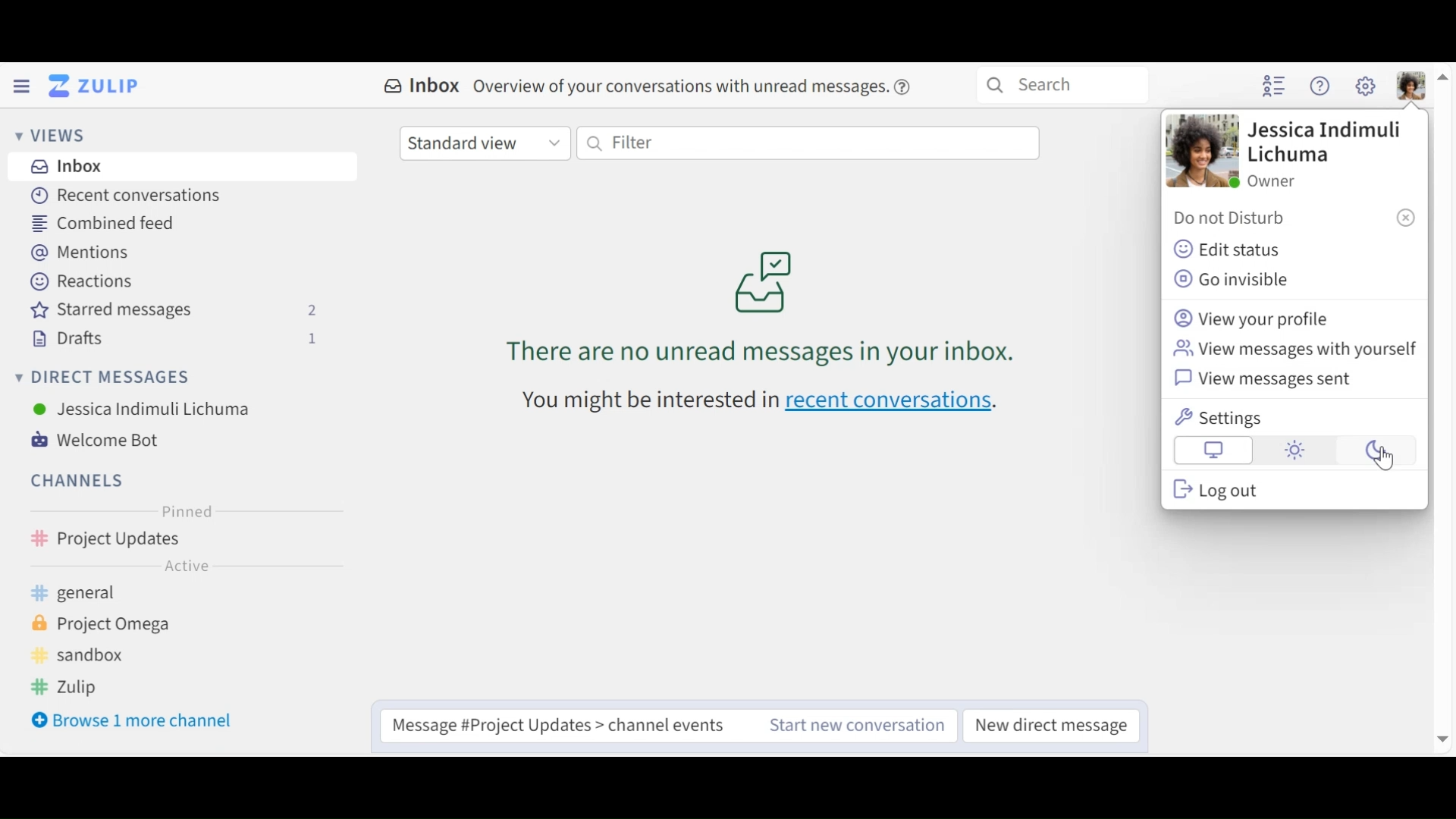  What do you see at coordinates (553, 726) in the screenshot?
I see `Message #Project Updates > channel events` at bounding box center [553, 726].